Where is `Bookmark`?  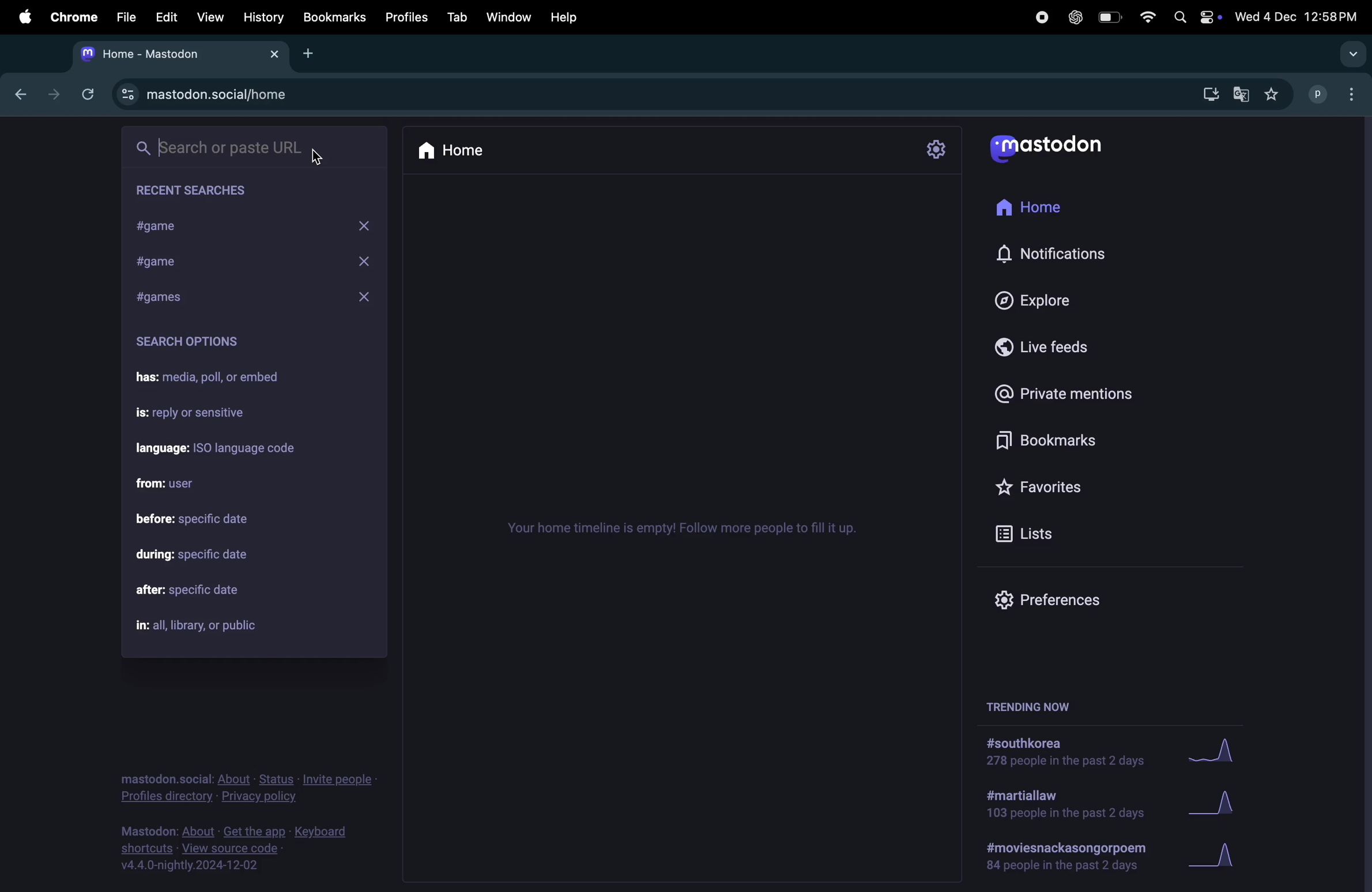 Bookmark is located at coordinates (336, 18).